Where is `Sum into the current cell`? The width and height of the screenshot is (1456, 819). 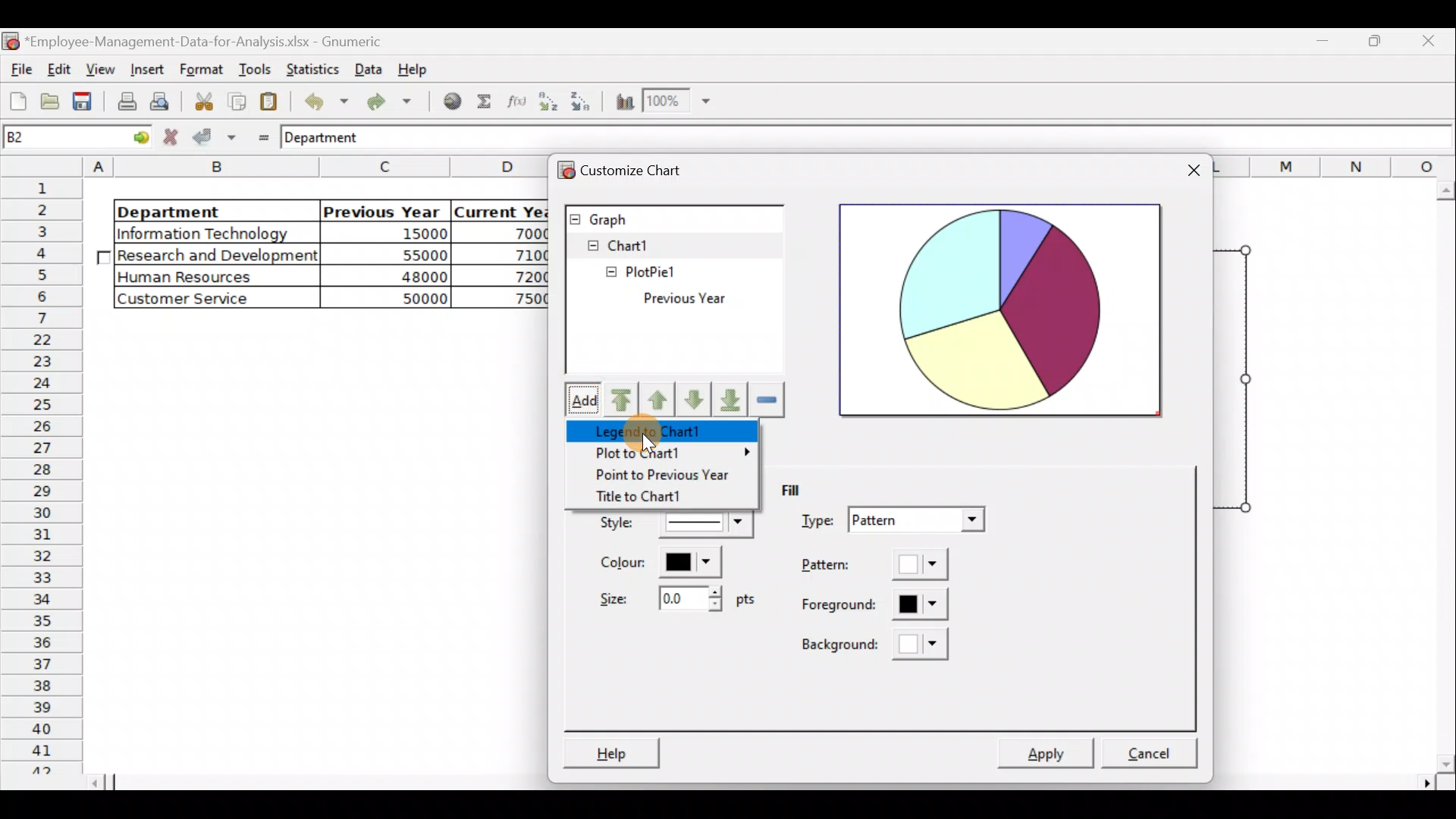
Sum into the current cell is located at coordinates (485, 100).